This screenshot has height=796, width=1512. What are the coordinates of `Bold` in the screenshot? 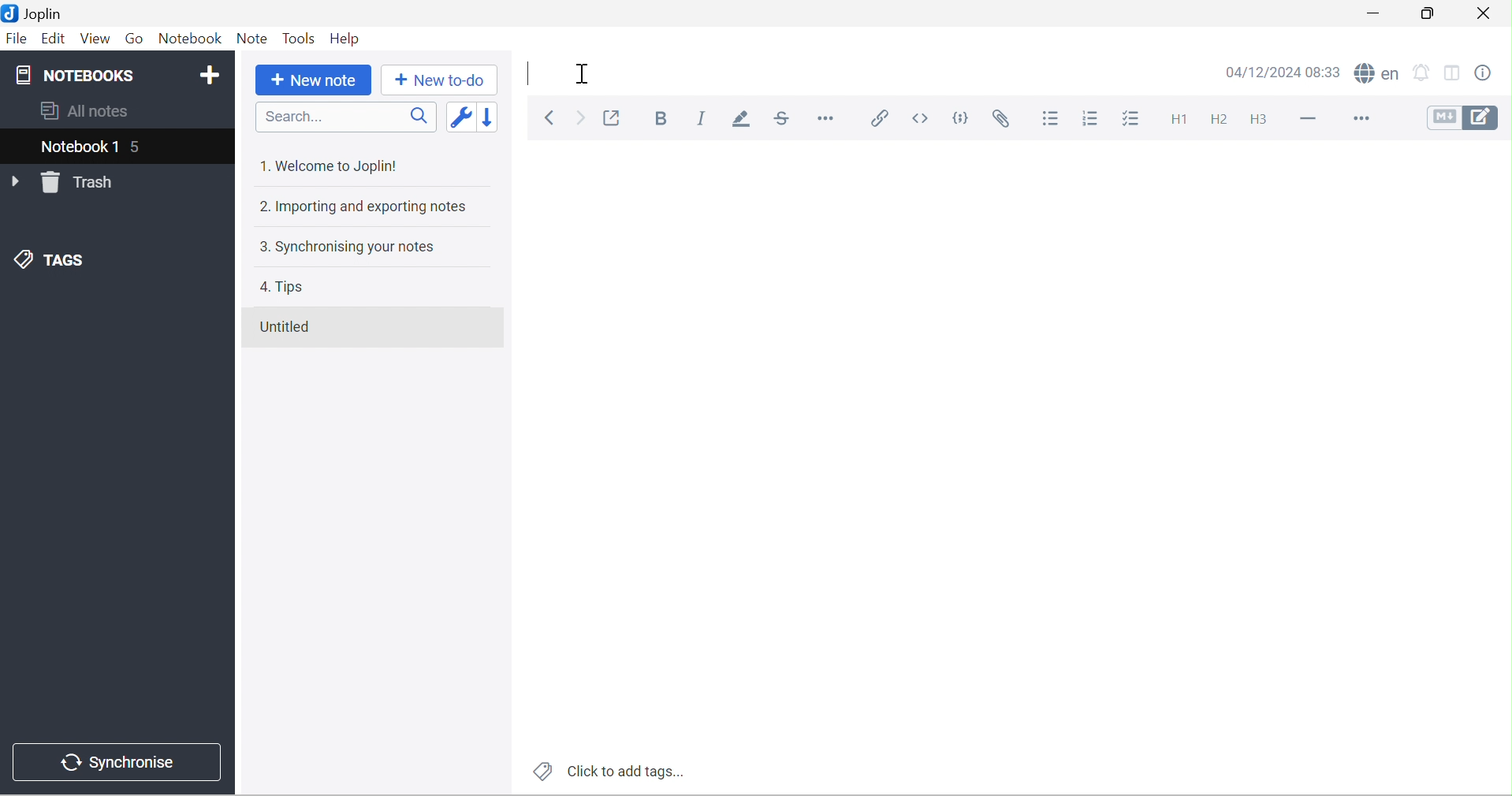 It's located at (660, 118).